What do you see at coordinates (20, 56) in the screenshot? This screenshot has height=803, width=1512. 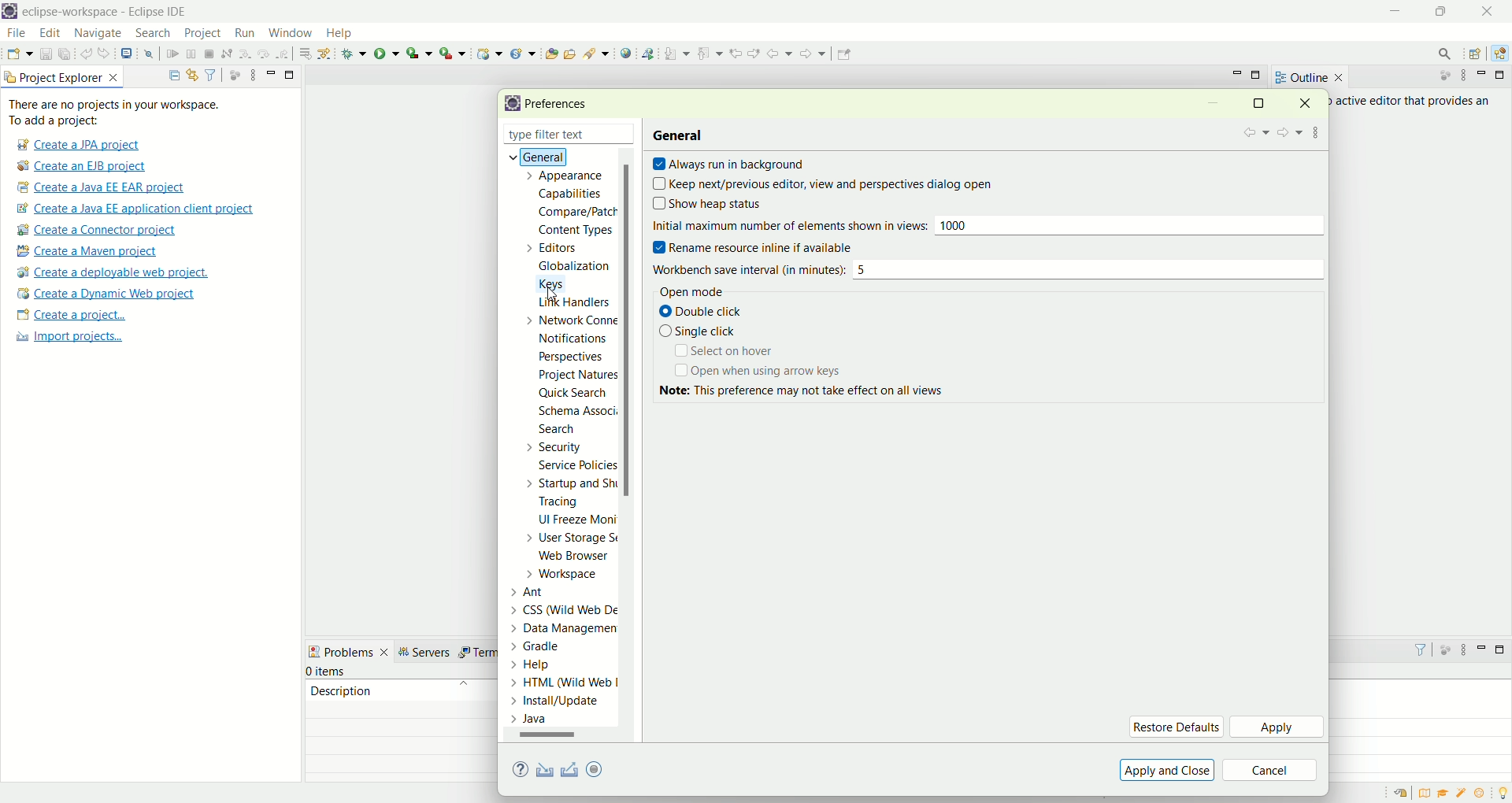 I see `open` at bounding box center [20, 56].